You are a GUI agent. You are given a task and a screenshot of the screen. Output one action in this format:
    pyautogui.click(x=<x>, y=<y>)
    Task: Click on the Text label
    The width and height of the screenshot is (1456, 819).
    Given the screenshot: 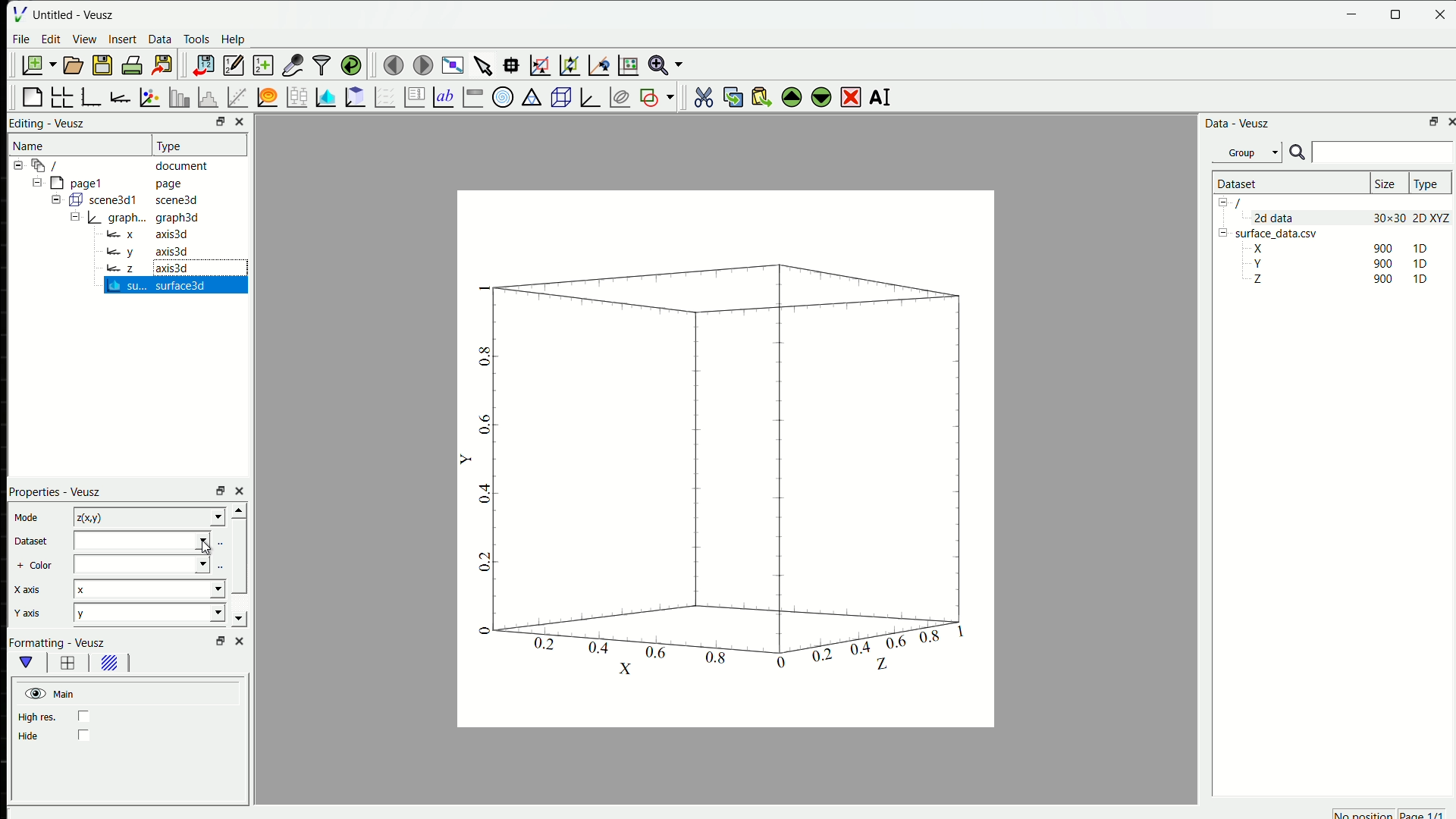 What is the action you would take?
    pyautogui.click(x=444, y=96)
    